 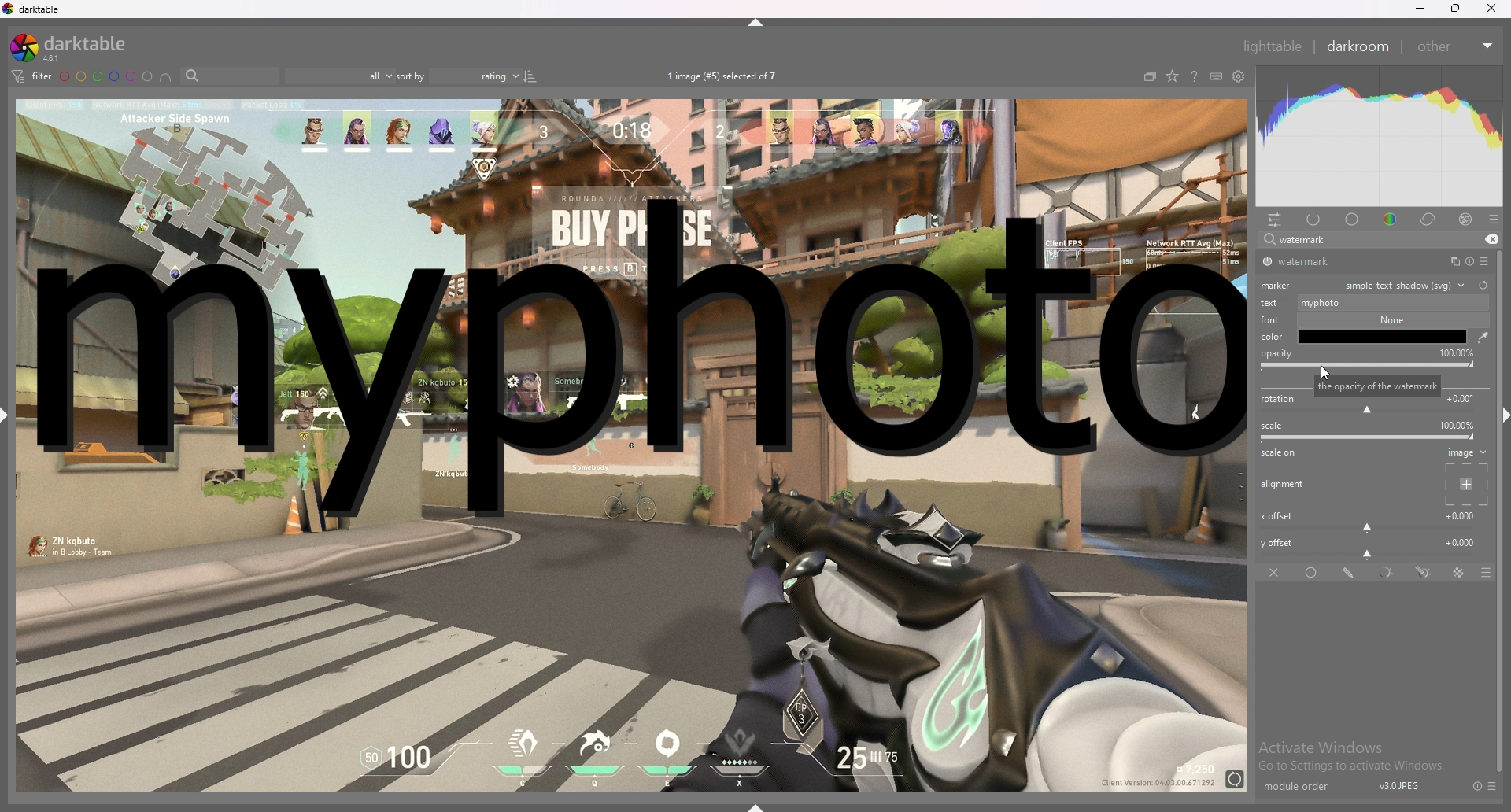 What do you see at coordinates (1239, 77) in the screenshot?
I see `show global preference` at bounding box center [1239, 77].